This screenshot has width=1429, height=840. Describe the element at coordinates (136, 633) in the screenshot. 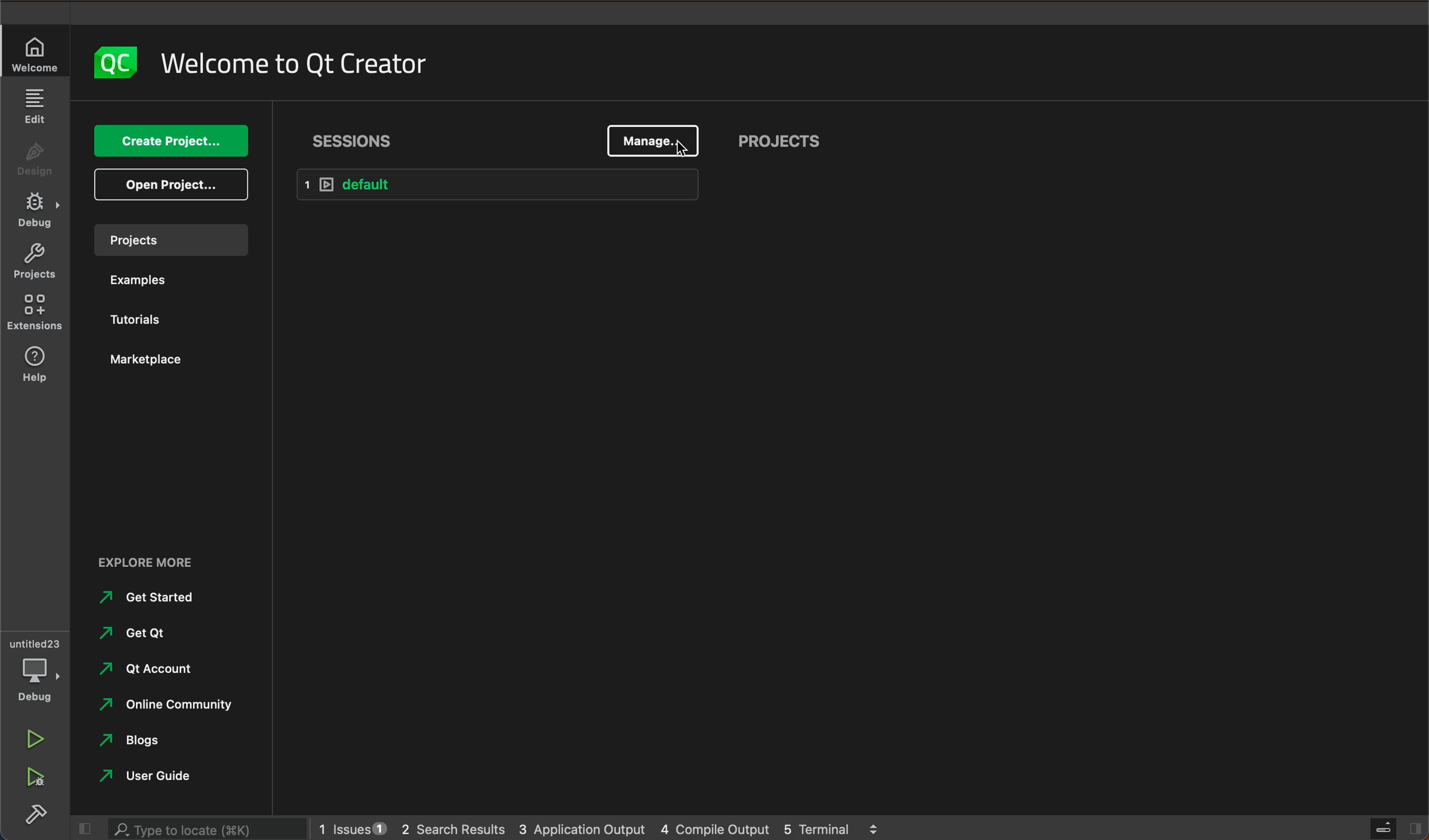

I see `get qt` at that location.